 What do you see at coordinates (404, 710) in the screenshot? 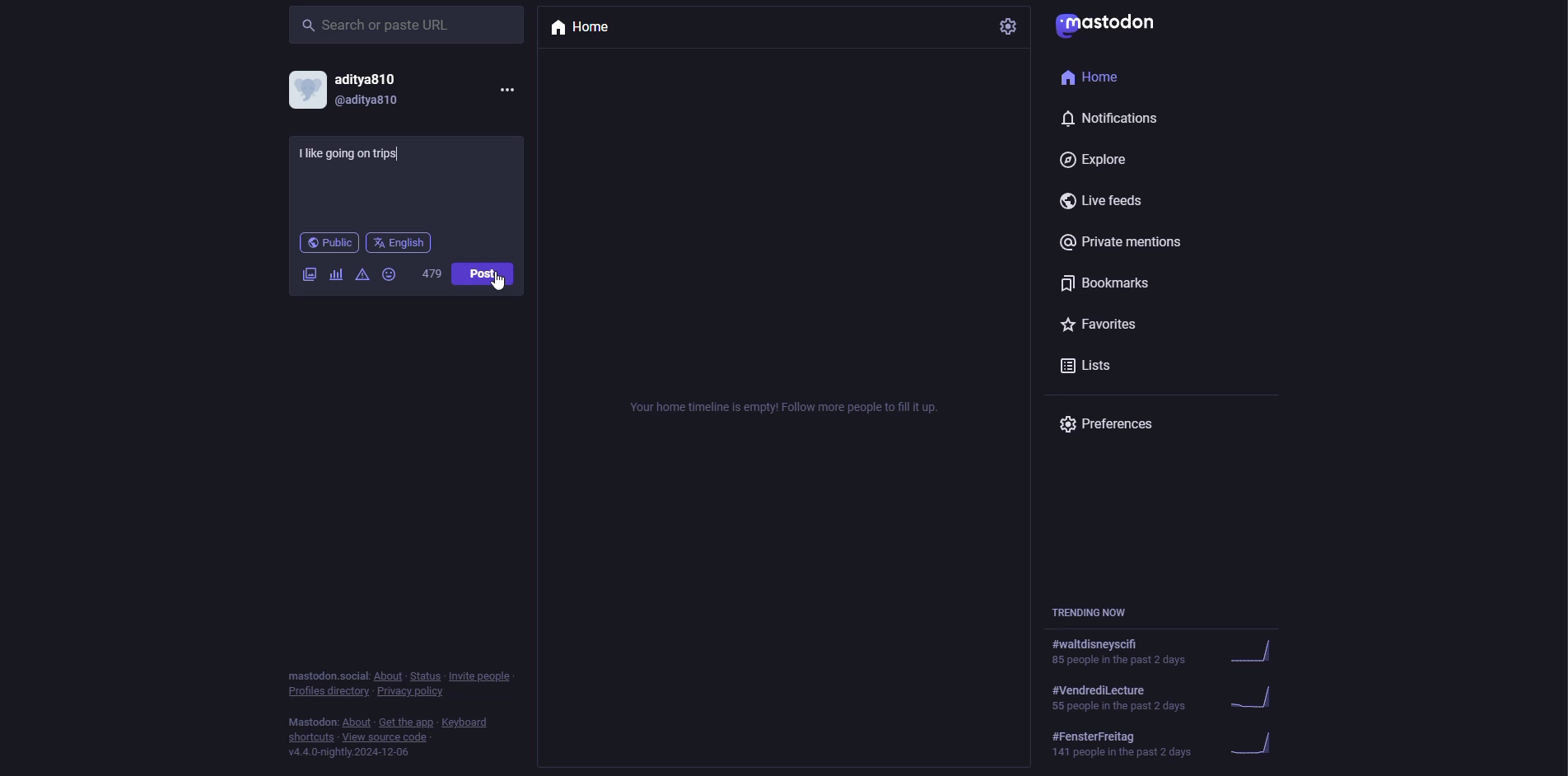
I see `info` at bounding box center [404, 710].